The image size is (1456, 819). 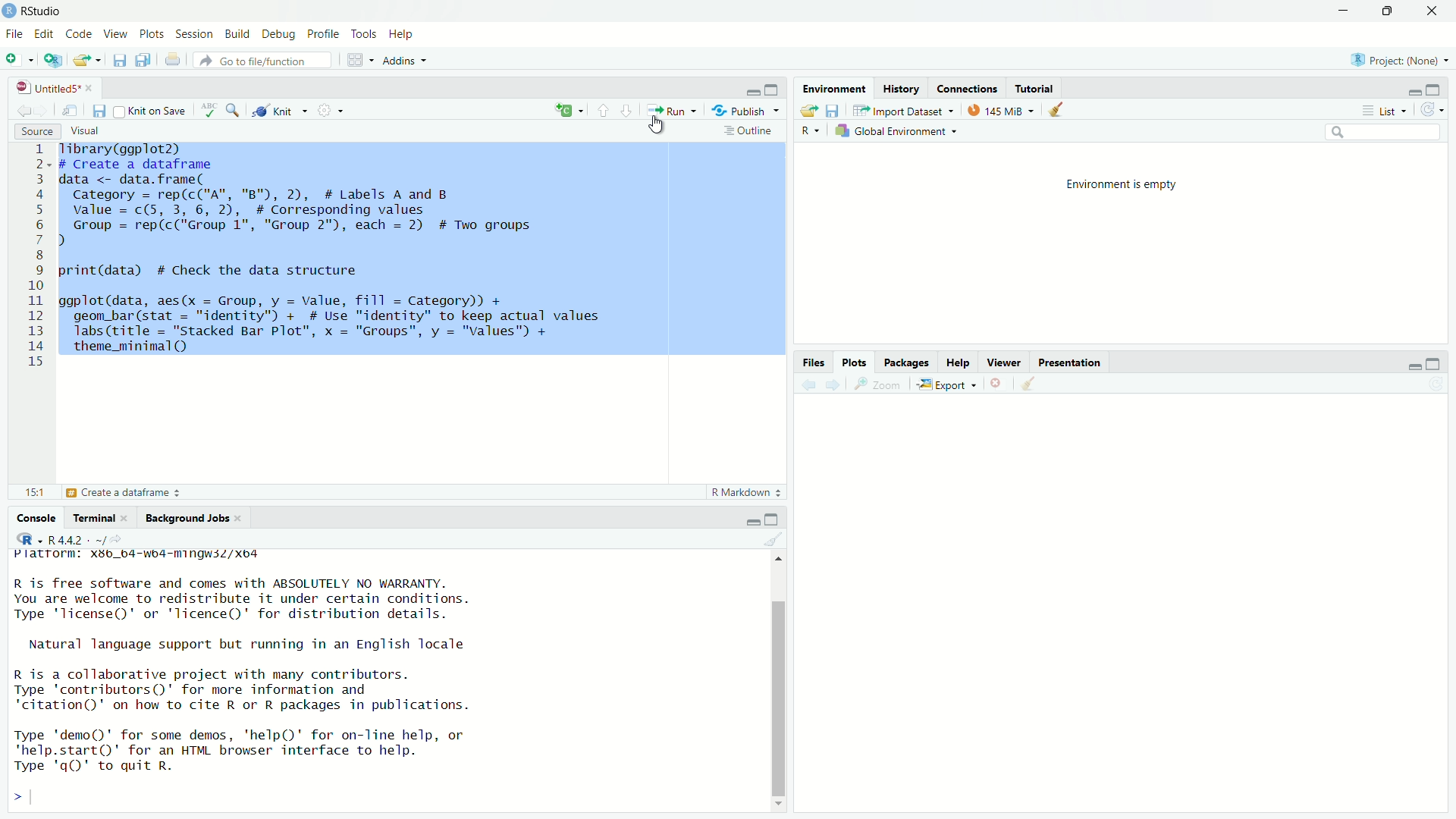 What do you see at coordinates (831, 383) in the screenshot?
I see `Go forward to the next source location (Ctrl + F10)` at bounding box center [831, 383].